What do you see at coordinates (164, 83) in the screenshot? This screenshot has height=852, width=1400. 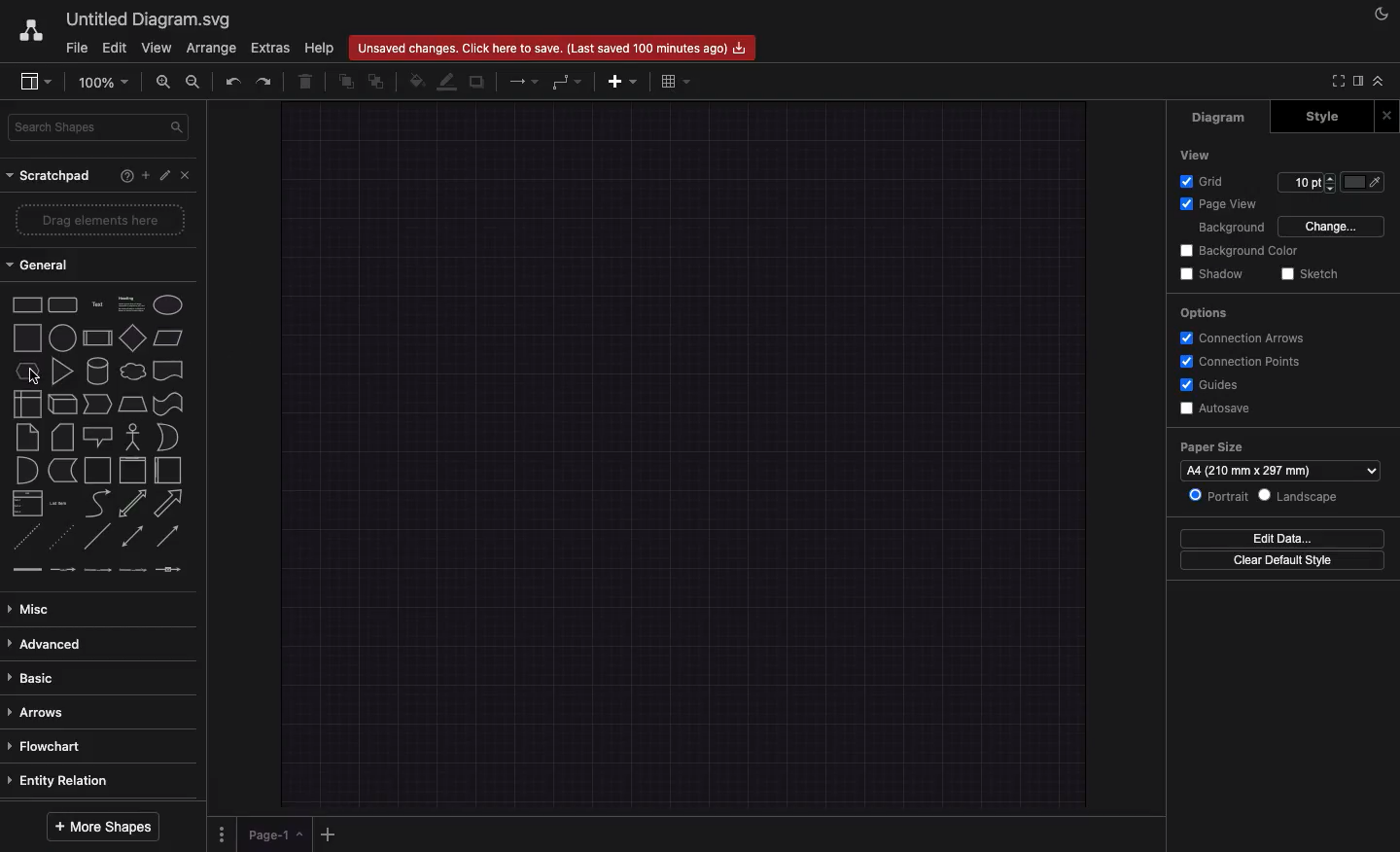 I see `Zoom in` at bounding box center [164, 83].